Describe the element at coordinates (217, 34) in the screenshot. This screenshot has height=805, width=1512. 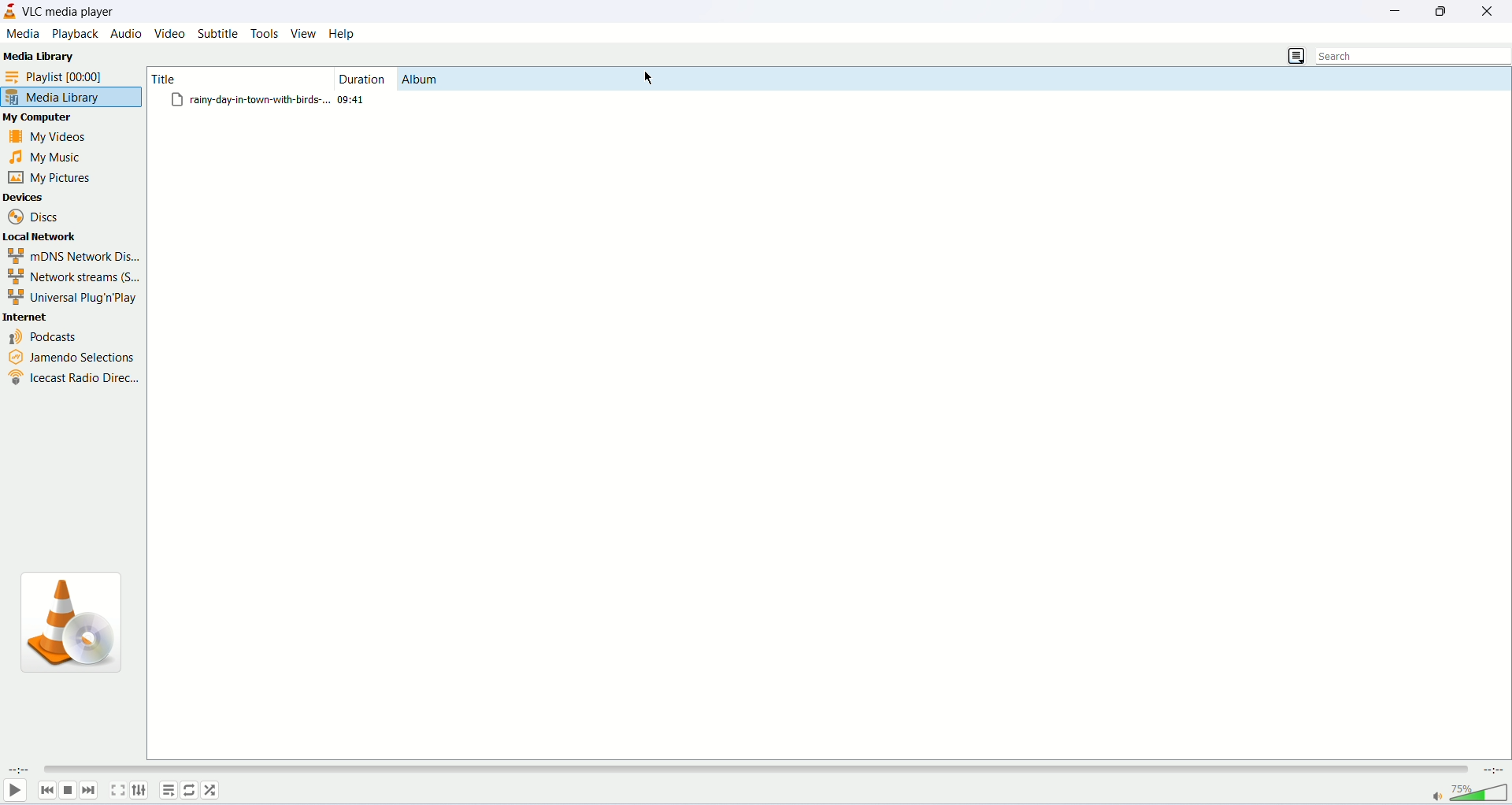
I see `subtitle` at that location.